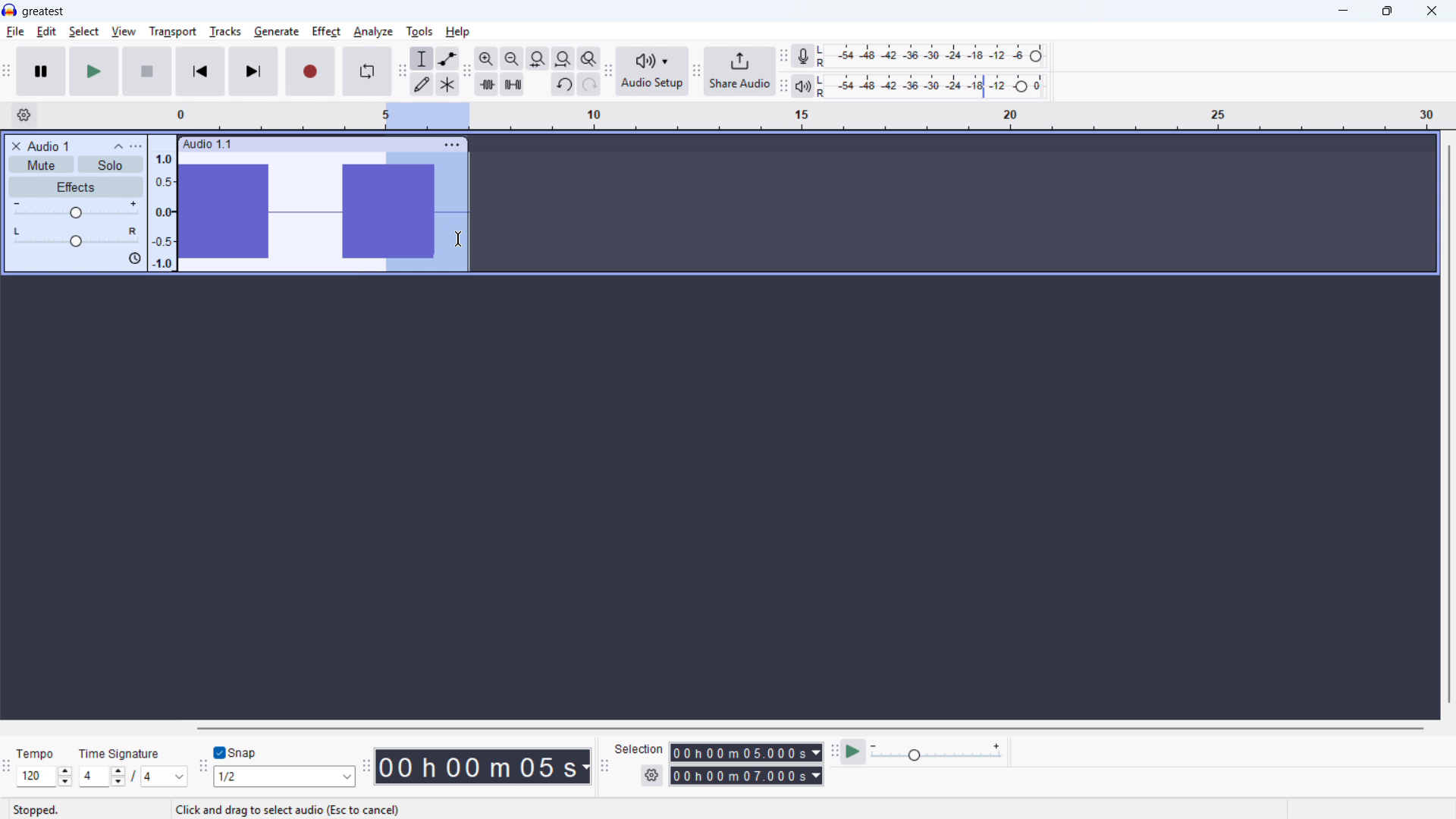  Describe the element at coordinates (1449, 425) in the screenshot. I see `Vertical scroll bar ` at that location.